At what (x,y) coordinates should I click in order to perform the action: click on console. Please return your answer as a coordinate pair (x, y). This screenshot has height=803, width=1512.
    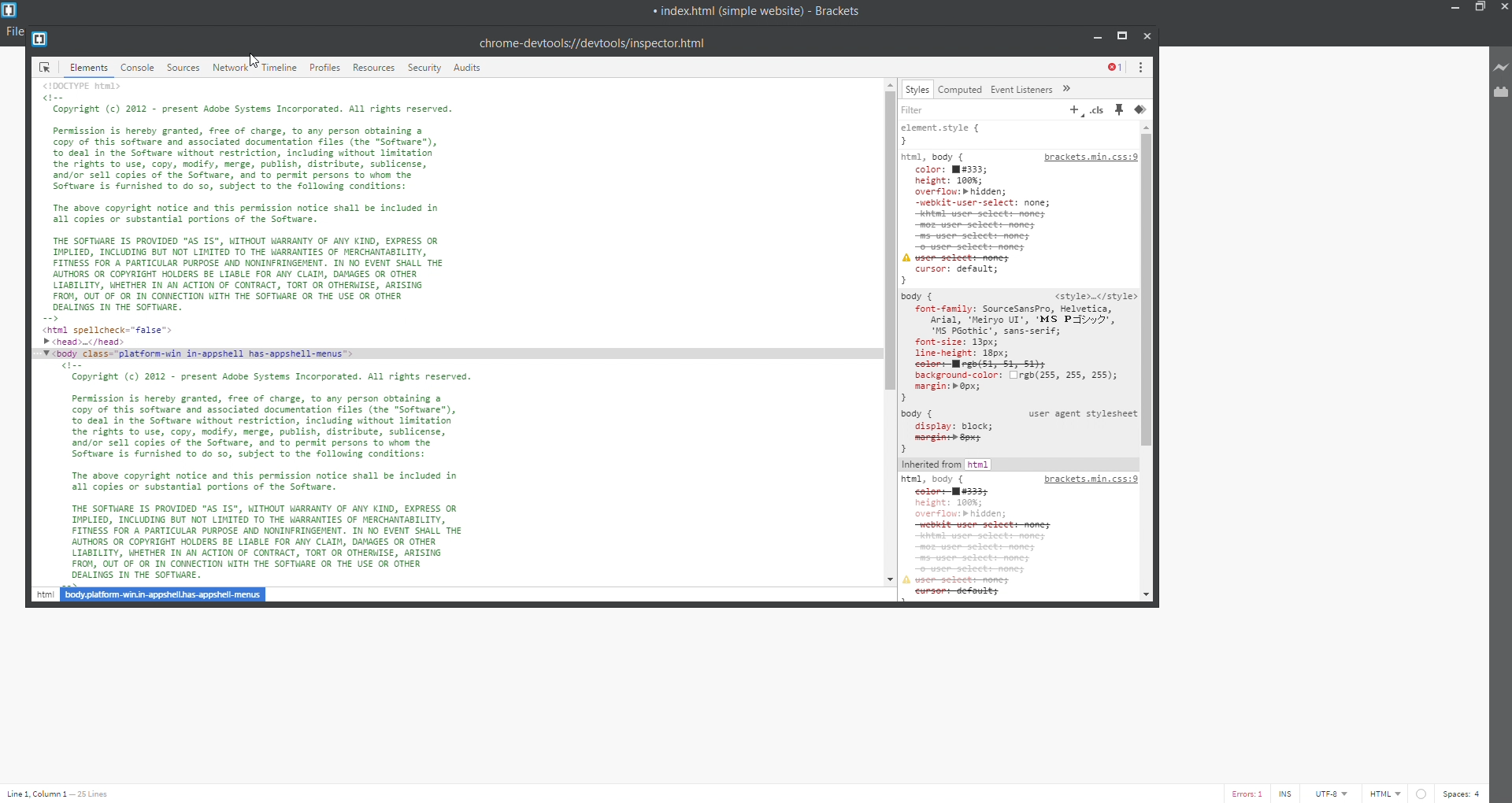
    Looking at the image, I should click on (138, 68).